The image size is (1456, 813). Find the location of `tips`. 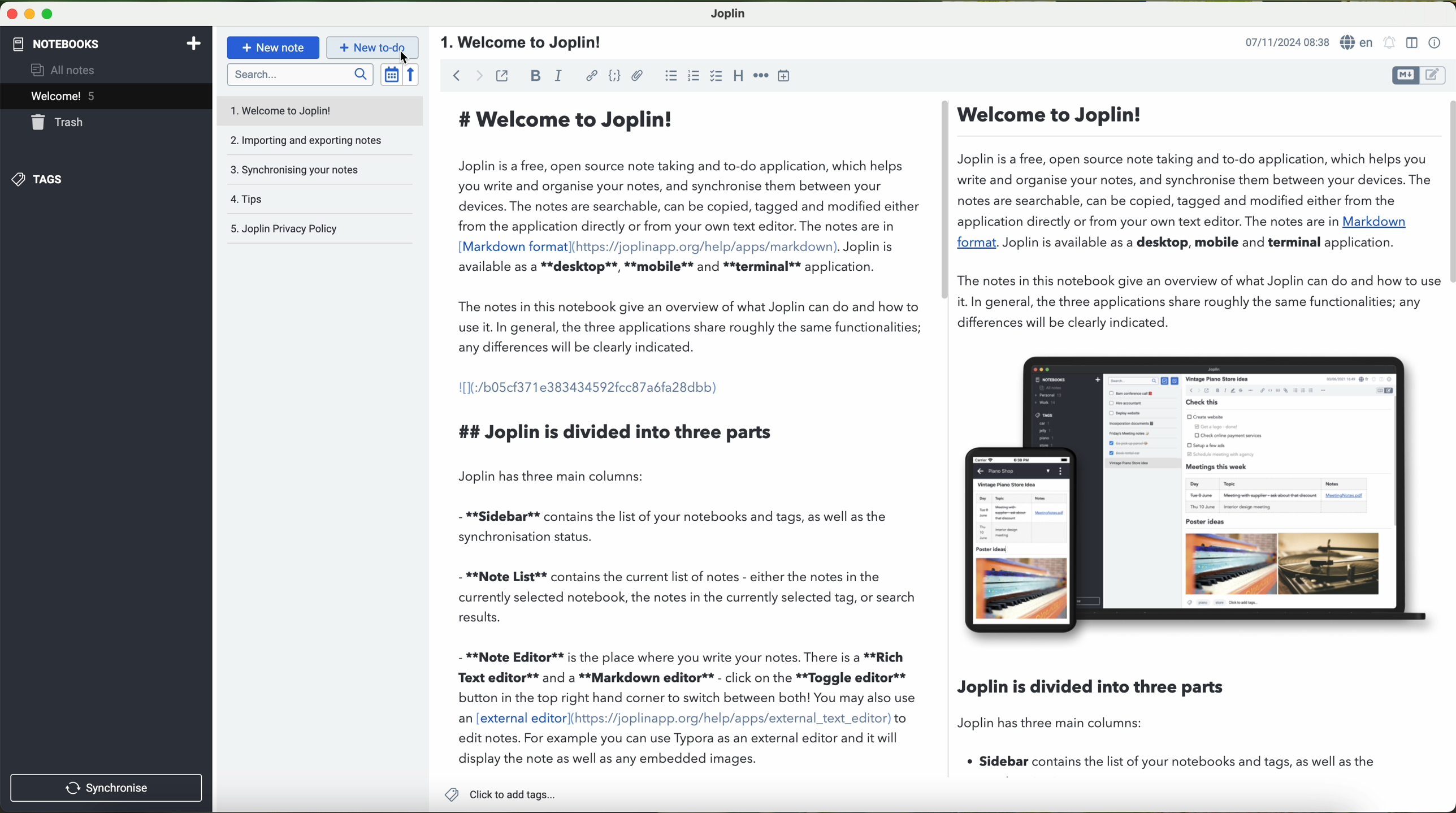

tips is located at coordinates (320, 199).